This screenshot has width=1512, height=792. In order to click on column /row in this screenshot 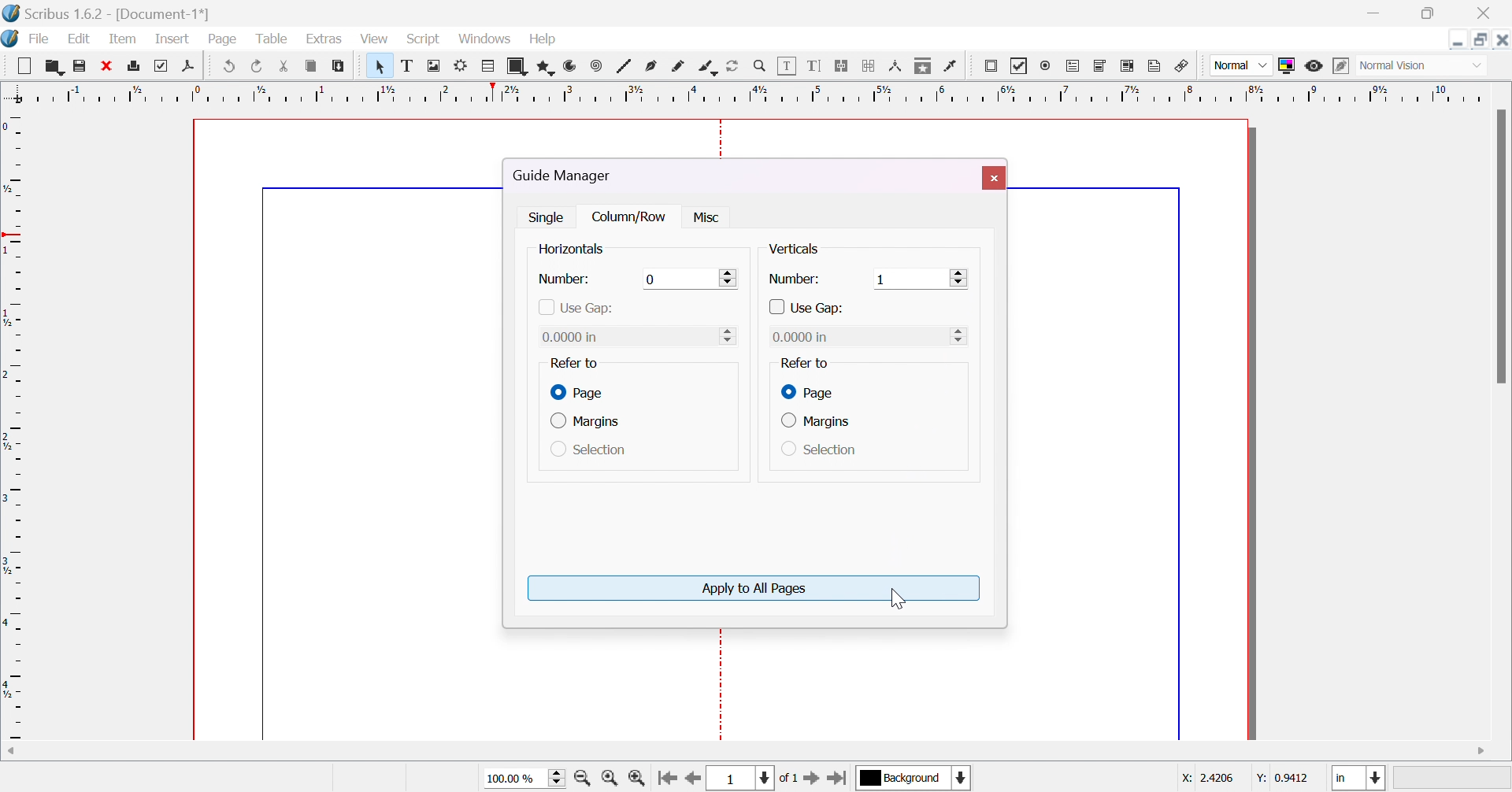, I will do `click(632, 217)`.